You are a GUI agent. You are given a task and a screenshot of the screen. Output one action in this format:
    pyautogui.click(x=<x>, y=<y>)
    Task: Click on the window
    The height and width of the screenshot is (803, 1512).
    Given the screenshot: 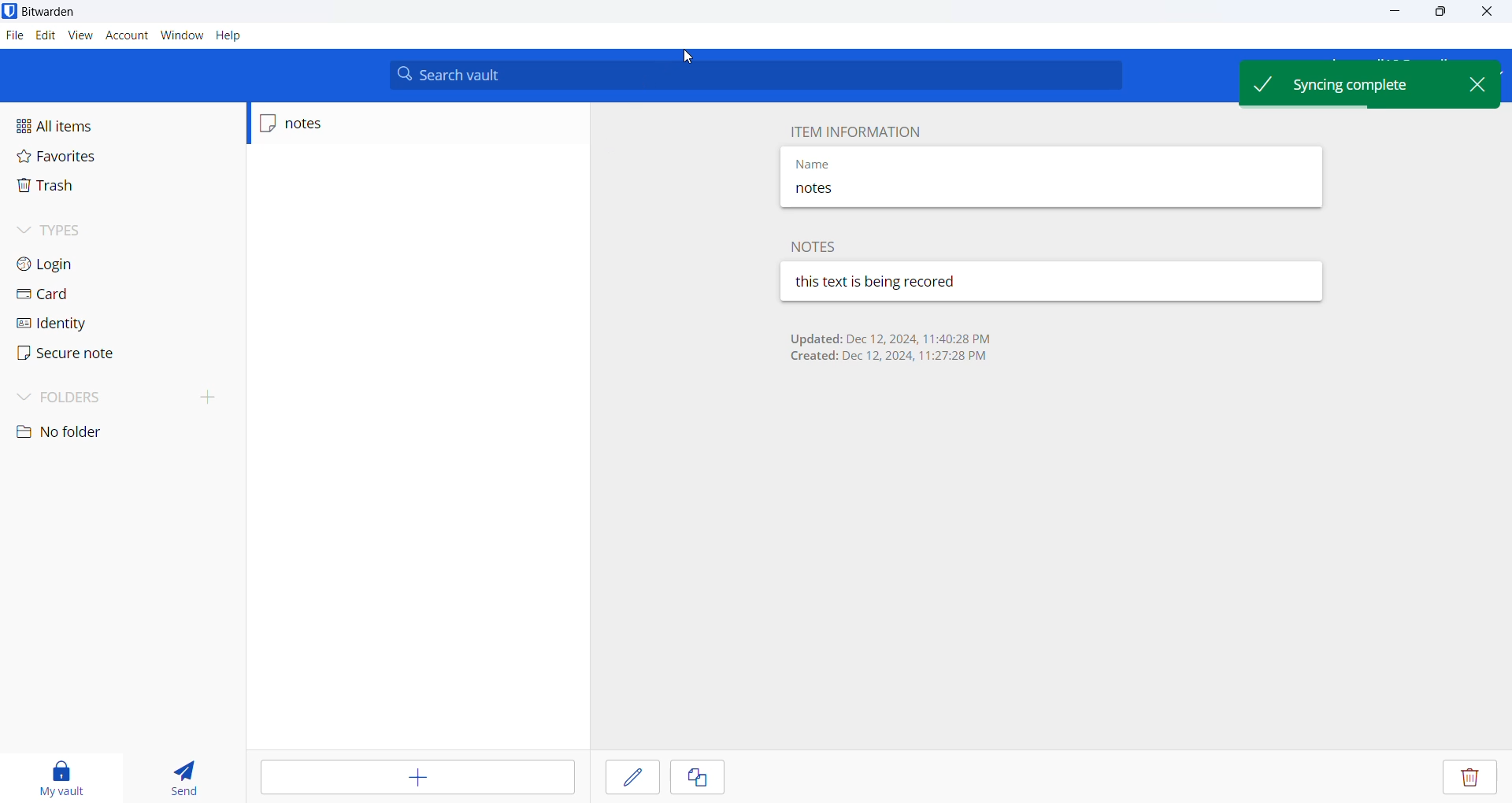 What is the action you would take?
    pyautogui.click(x=179, y=37)
    